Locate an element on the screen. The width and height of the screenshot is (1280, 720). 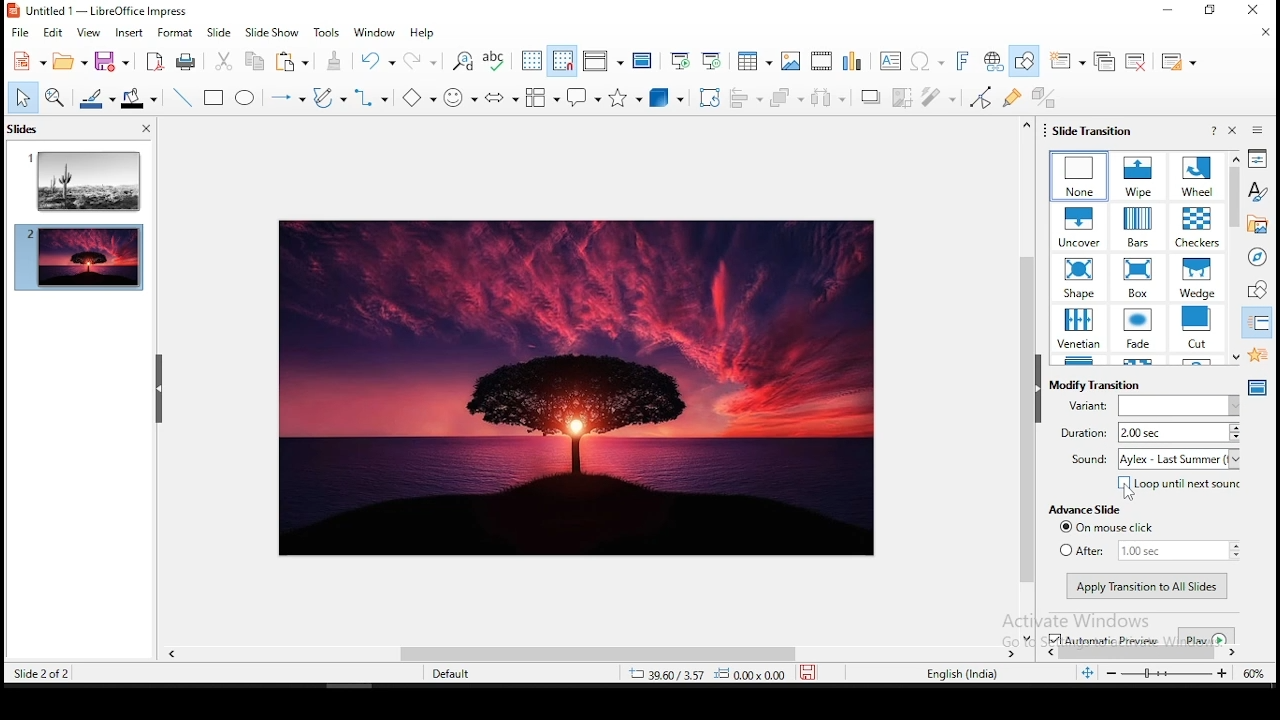
shapes is located at coordinates (1255, 291).